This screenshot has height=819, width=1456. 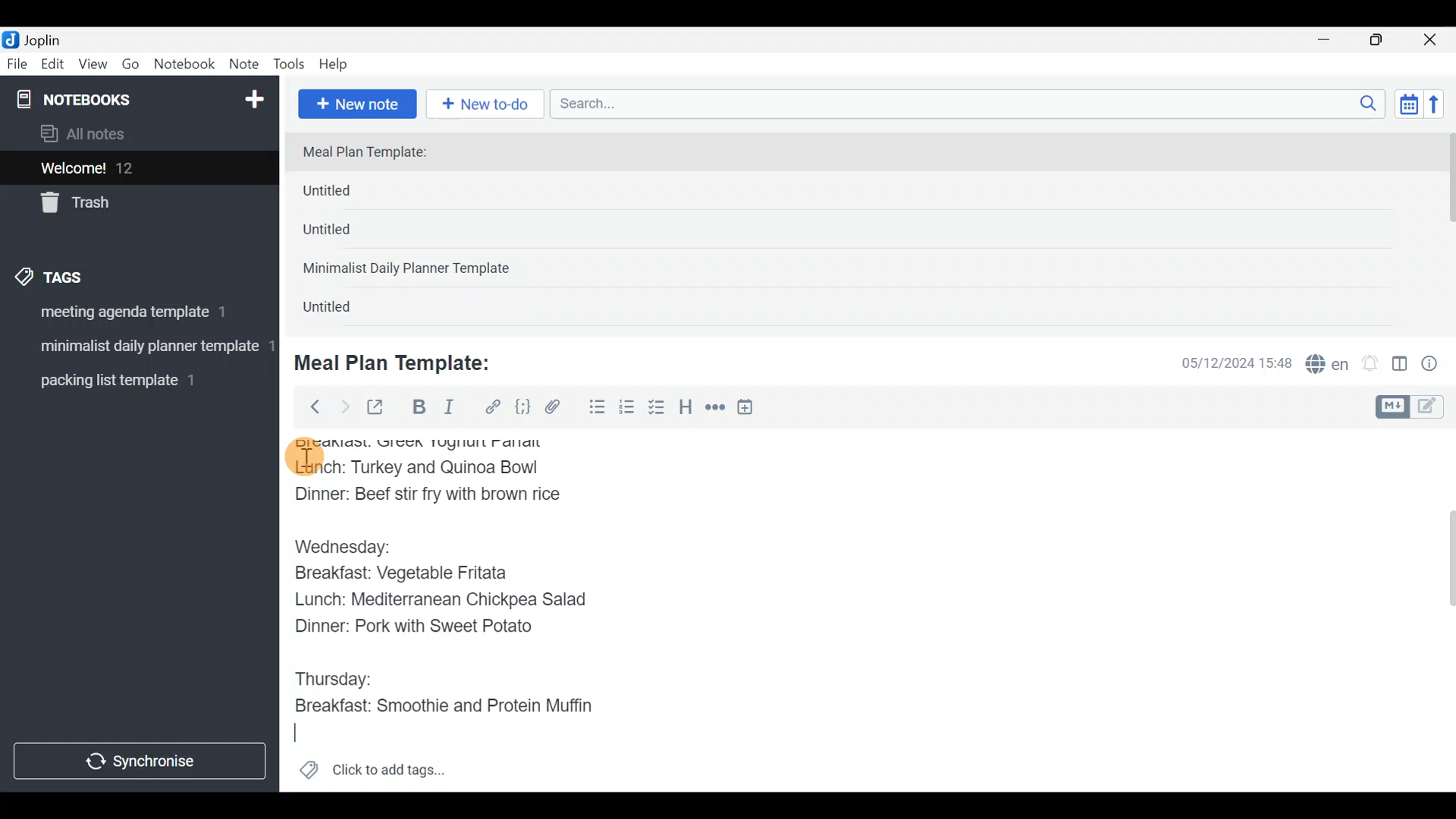 I want to click on Checkbox, so click(x=658, y=409).